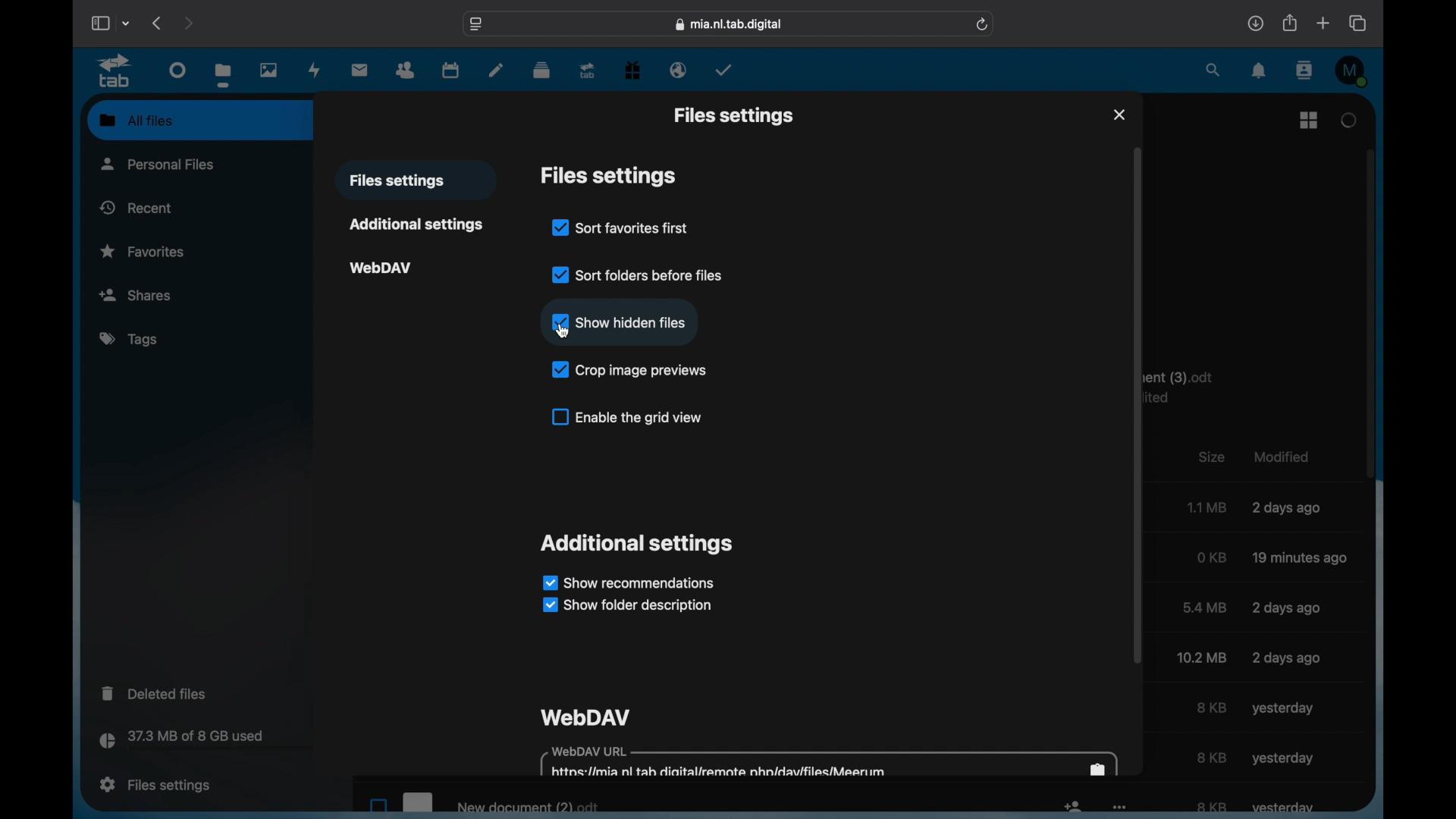  What do you see at coordinates (1370, 312) in the screenshot?
I see `scroll box` at bounding box center [1370, 312].